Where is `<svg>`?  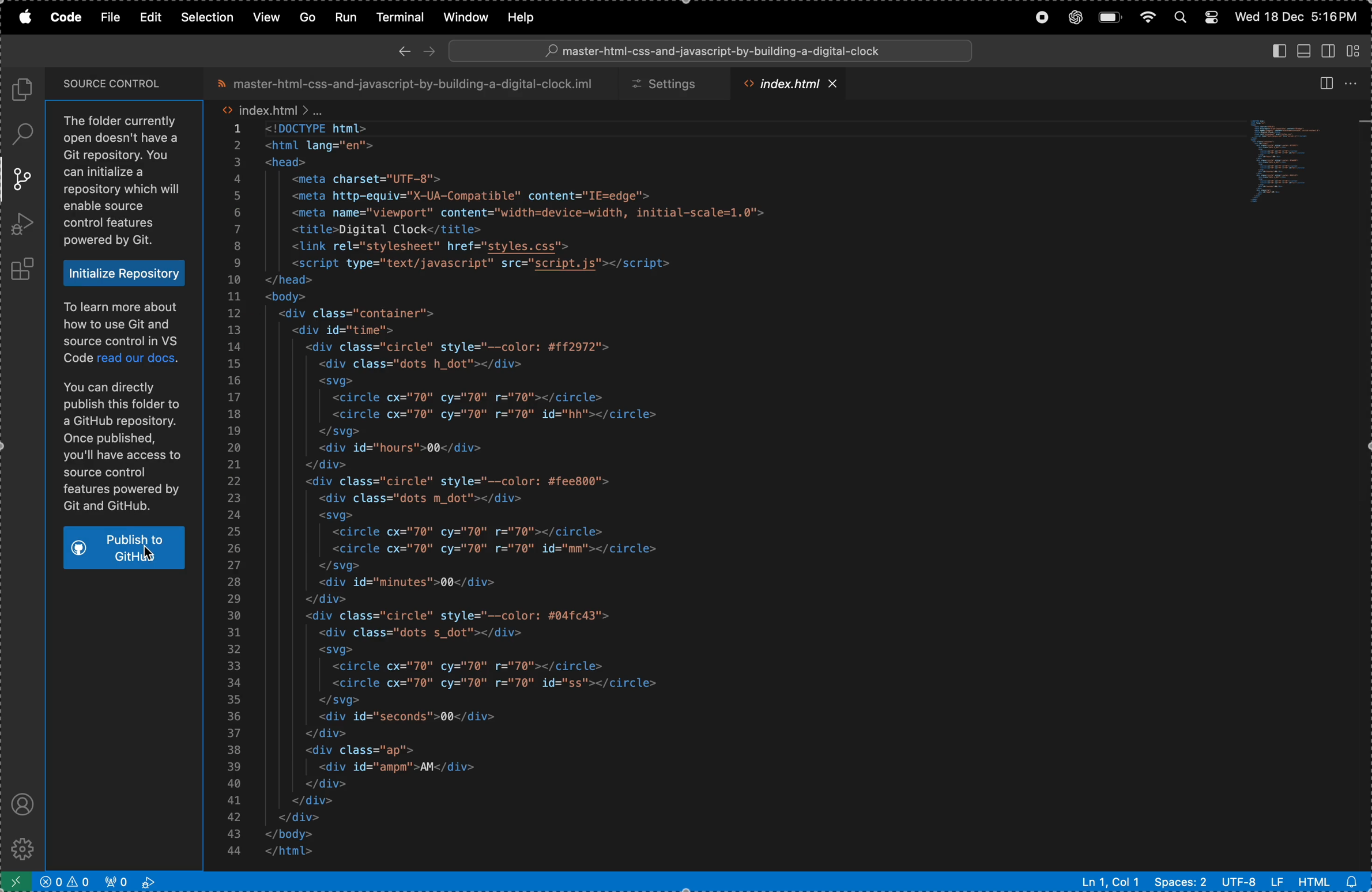
<svg> is located at coordinates (336, 381).